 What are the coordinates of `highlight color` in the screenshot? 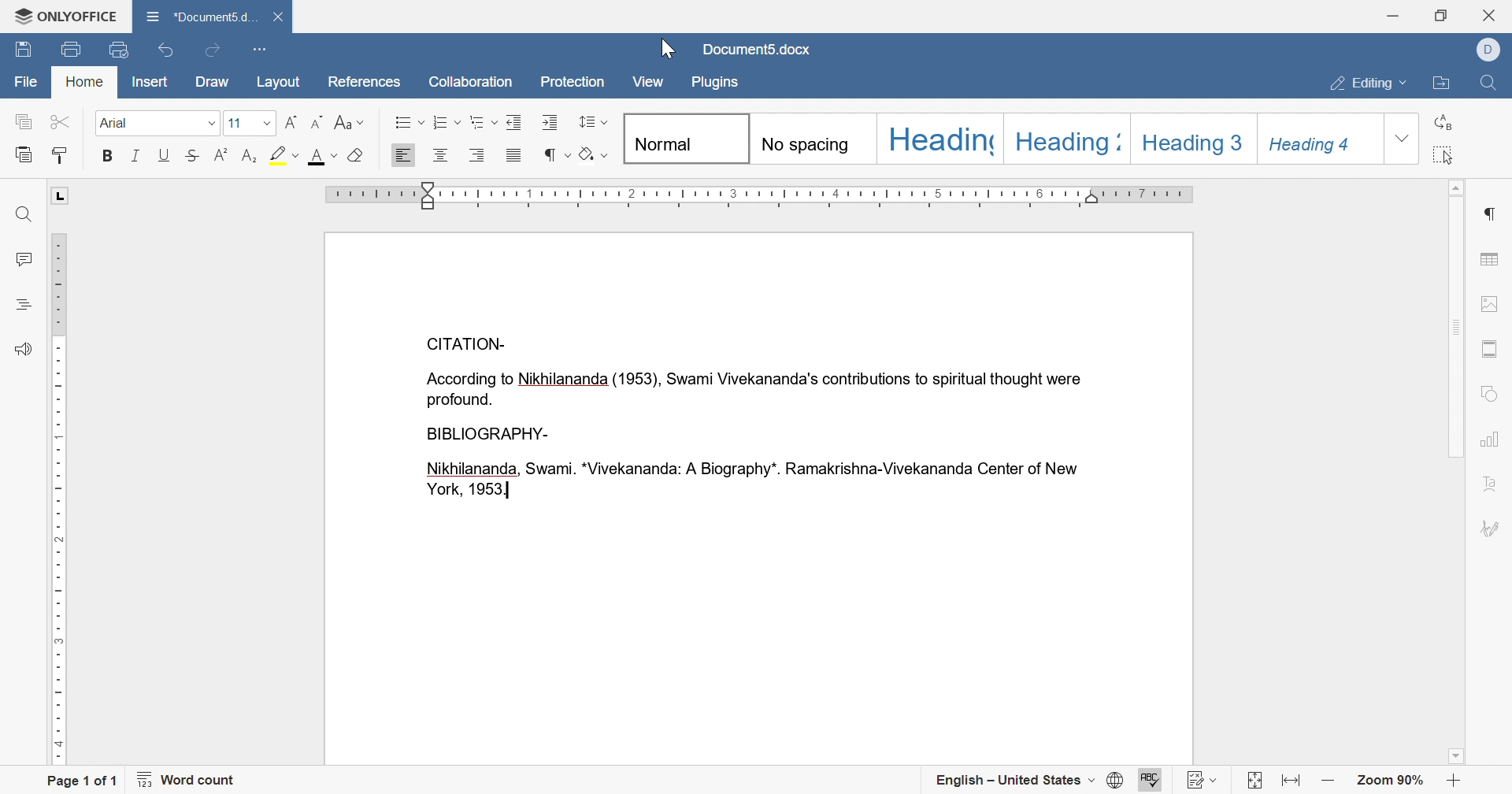 It's located at (283, 155).